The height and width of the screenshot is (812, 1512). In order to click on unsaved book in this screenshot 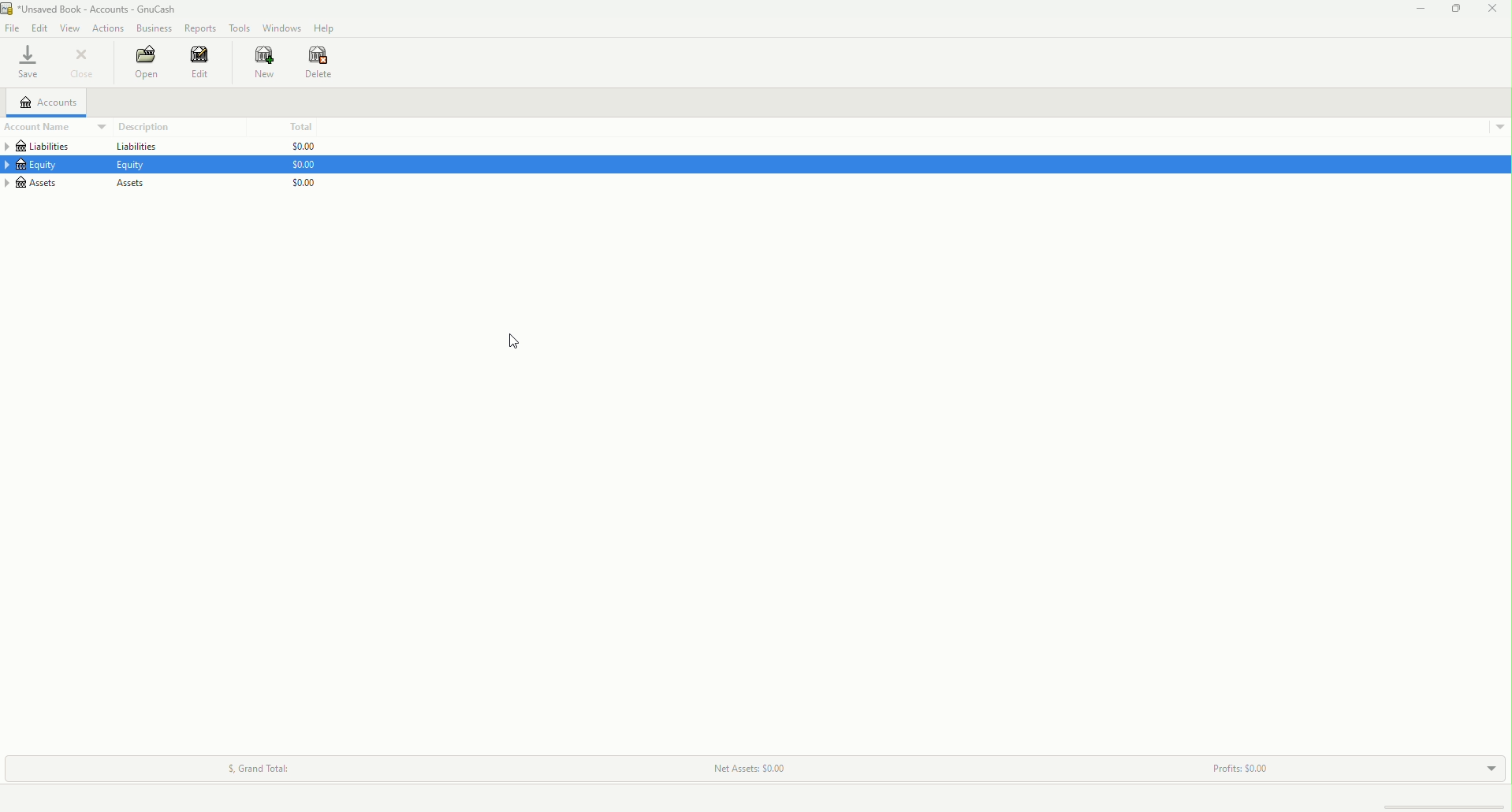, I will do `click(96, 9)`.